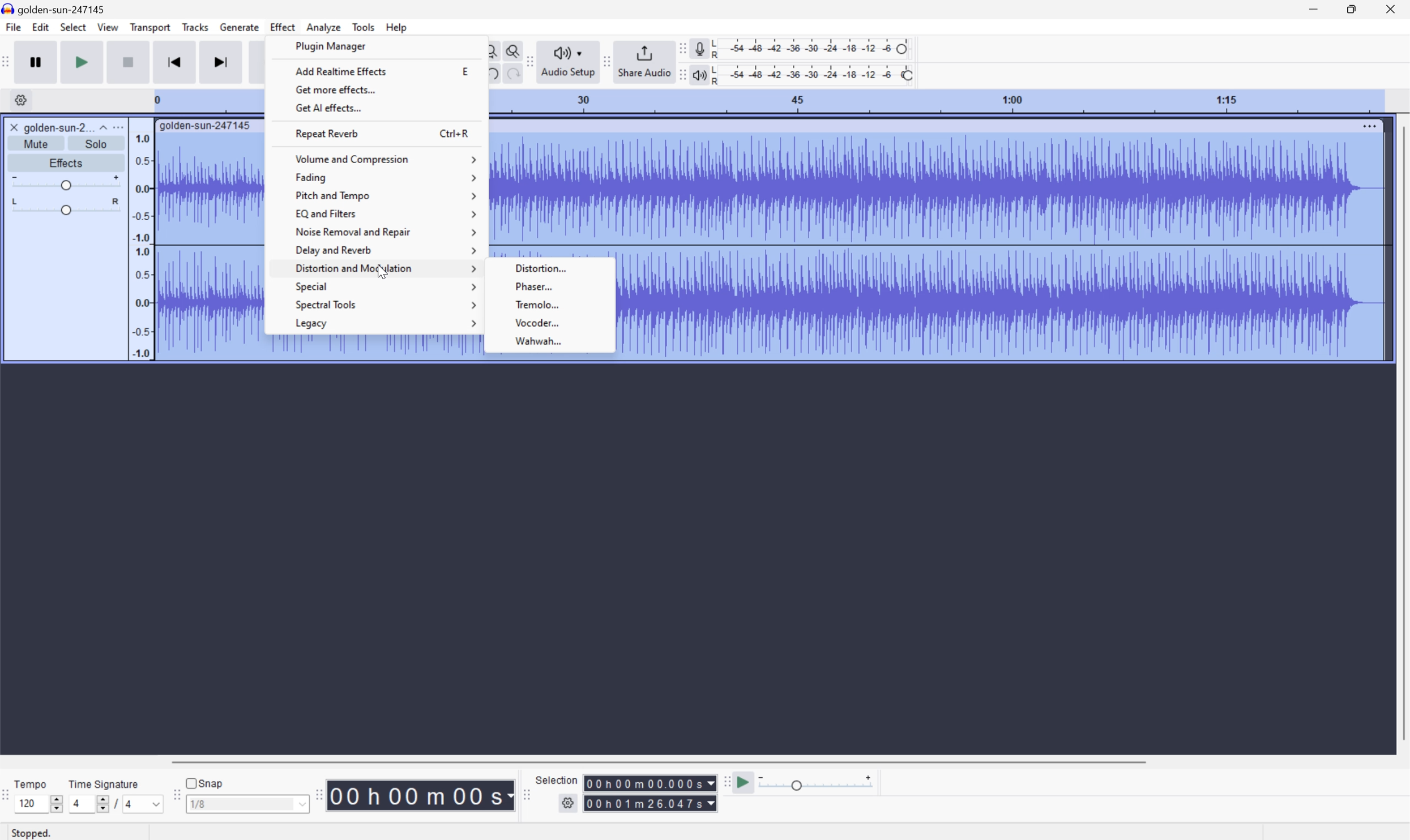  What do you see at coordinates (665, 760) in the screenshot?
I see `Scroll bar` at bounding box center [665, 760].